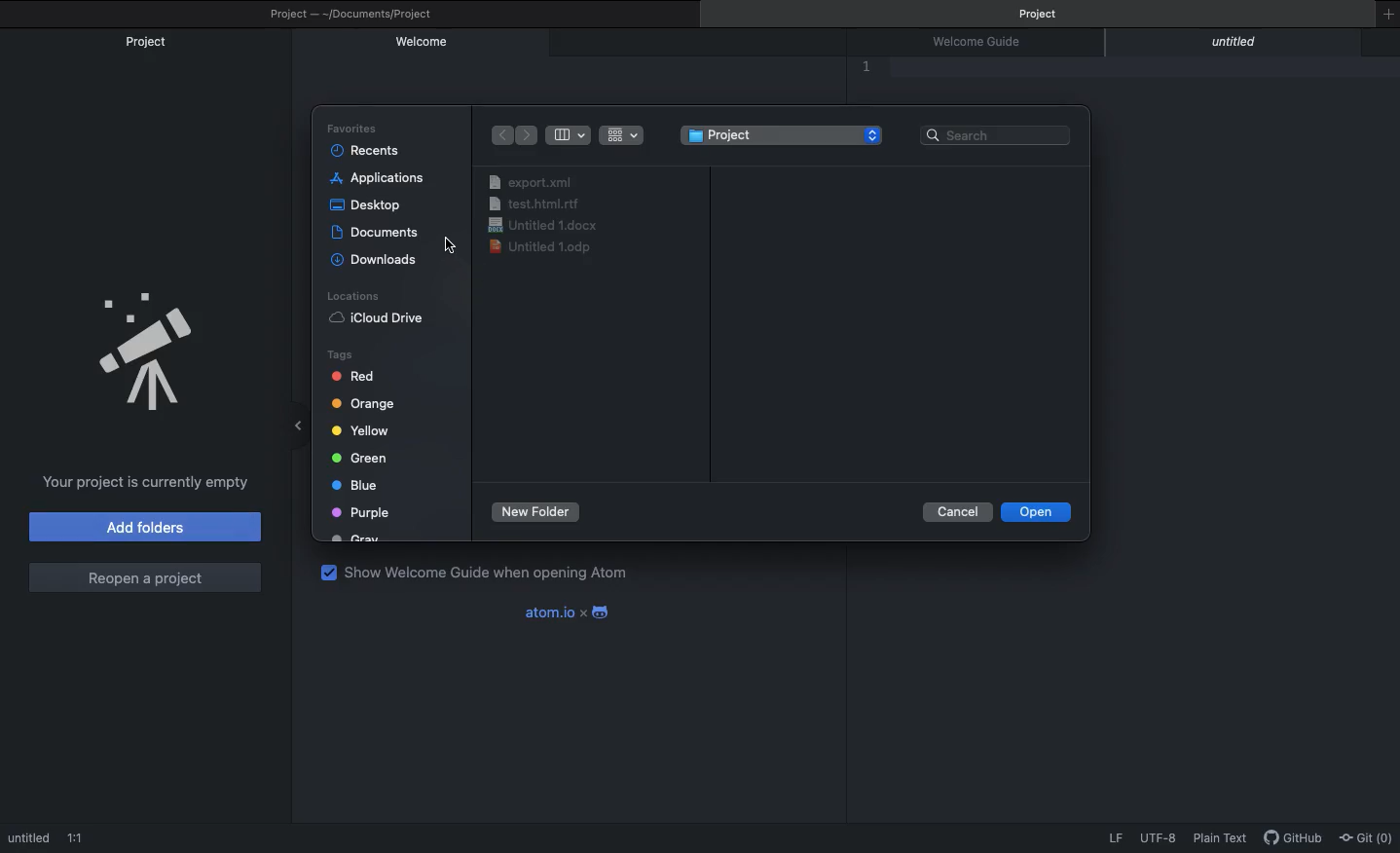 This screenshot has height=853, width=1400. I want to click on Editor, so click(894, 71).